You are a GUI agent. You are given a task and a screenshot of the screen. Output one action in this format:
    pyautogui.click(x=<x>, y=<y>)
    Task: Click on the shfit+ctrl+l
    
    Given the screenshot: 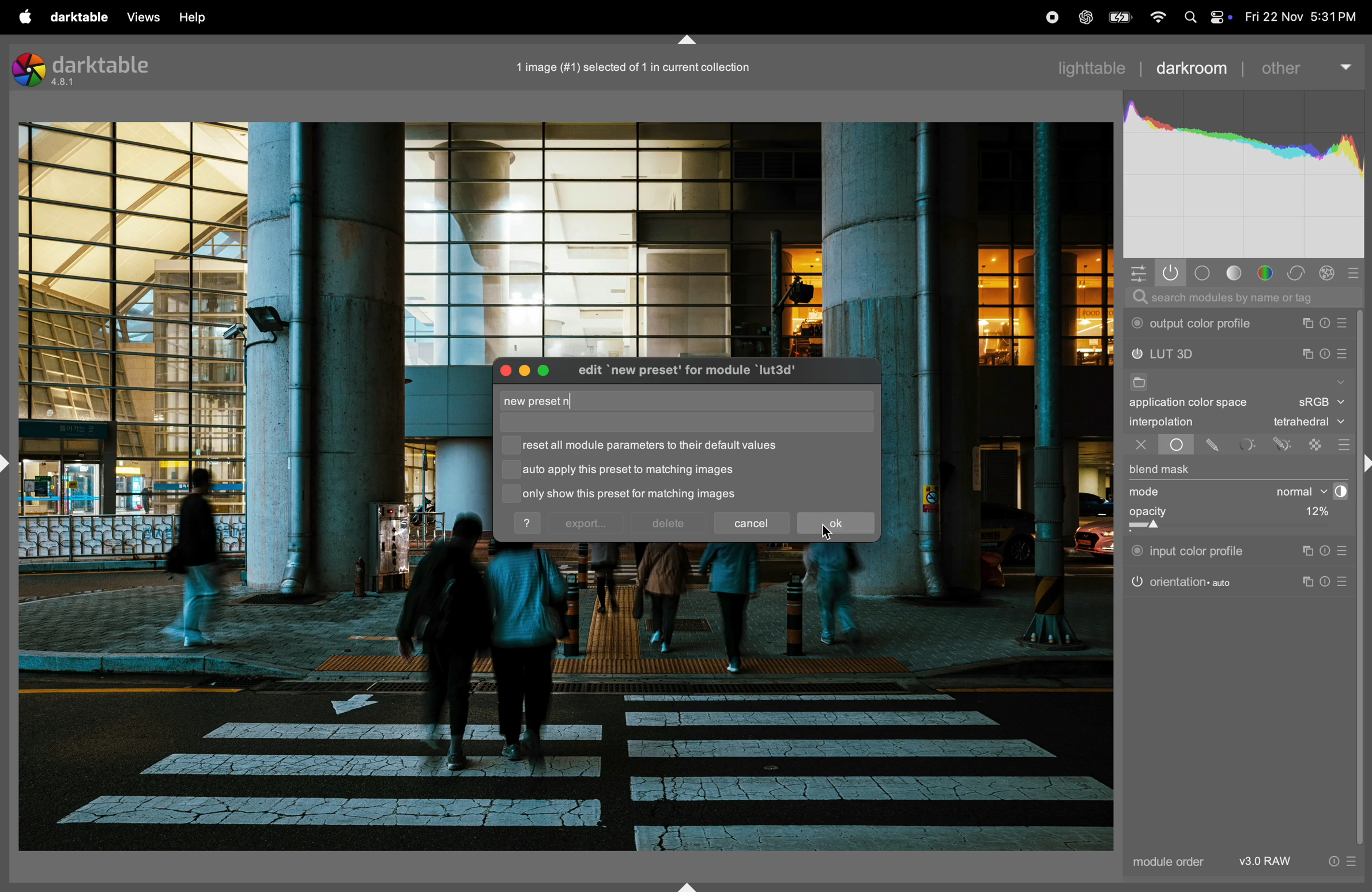 What is the action you would take?
    pyautogui.click(x=9, y=463)
    